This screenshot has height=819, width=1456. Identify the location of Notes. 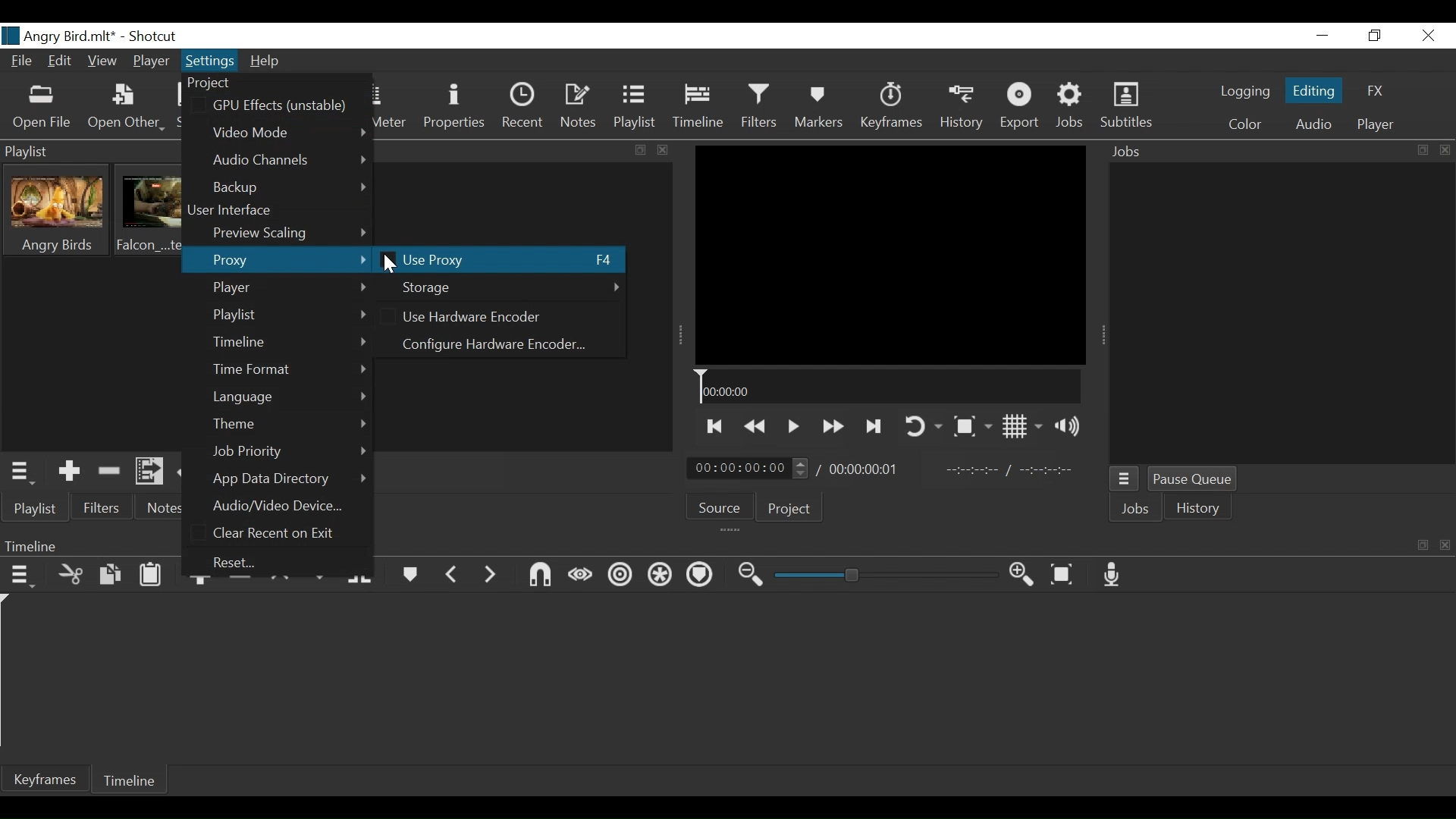
(167, 507).